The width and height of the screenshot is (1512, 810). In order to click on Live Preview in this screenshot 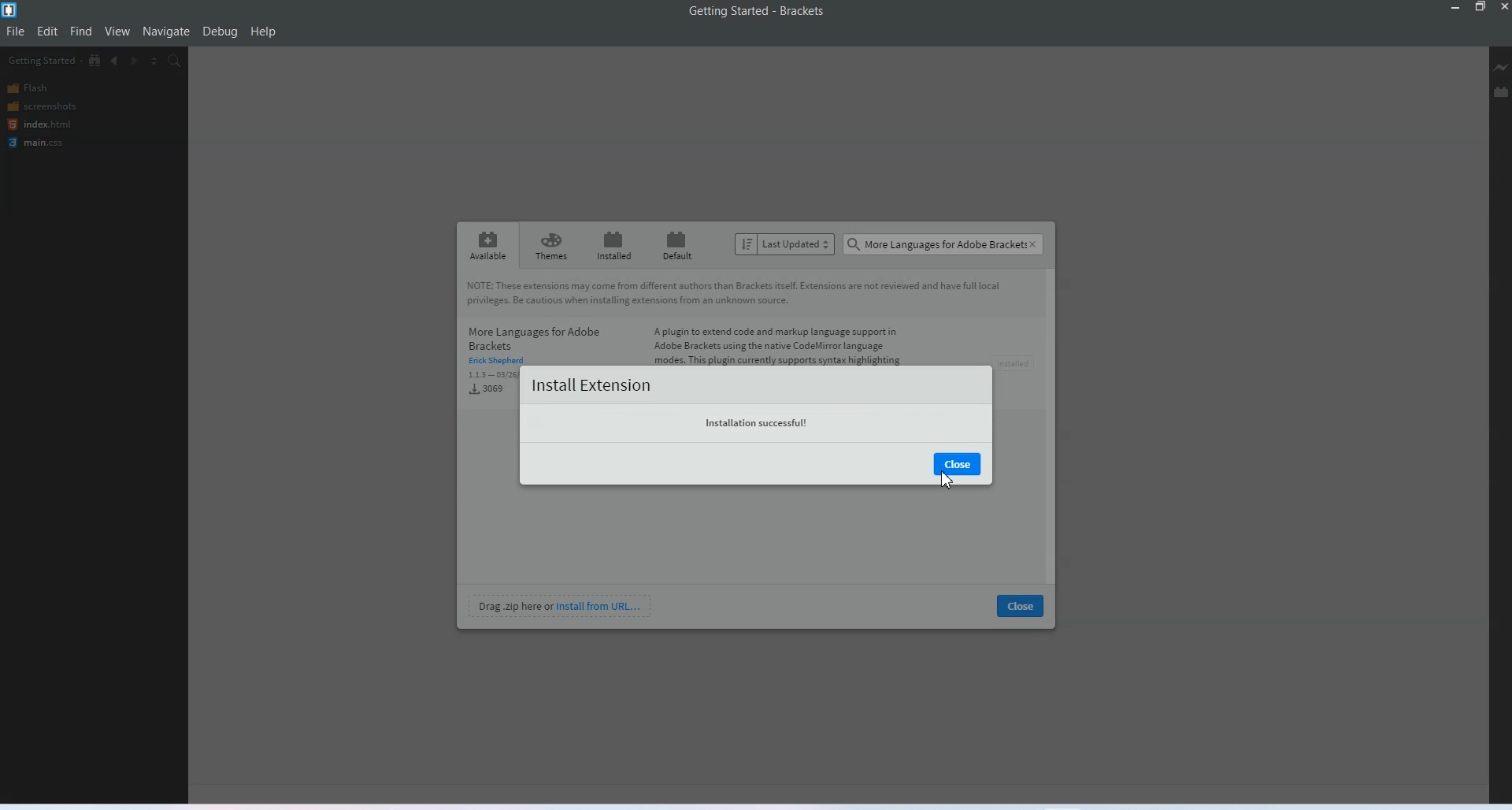, I will do `click(1502, 68)`.